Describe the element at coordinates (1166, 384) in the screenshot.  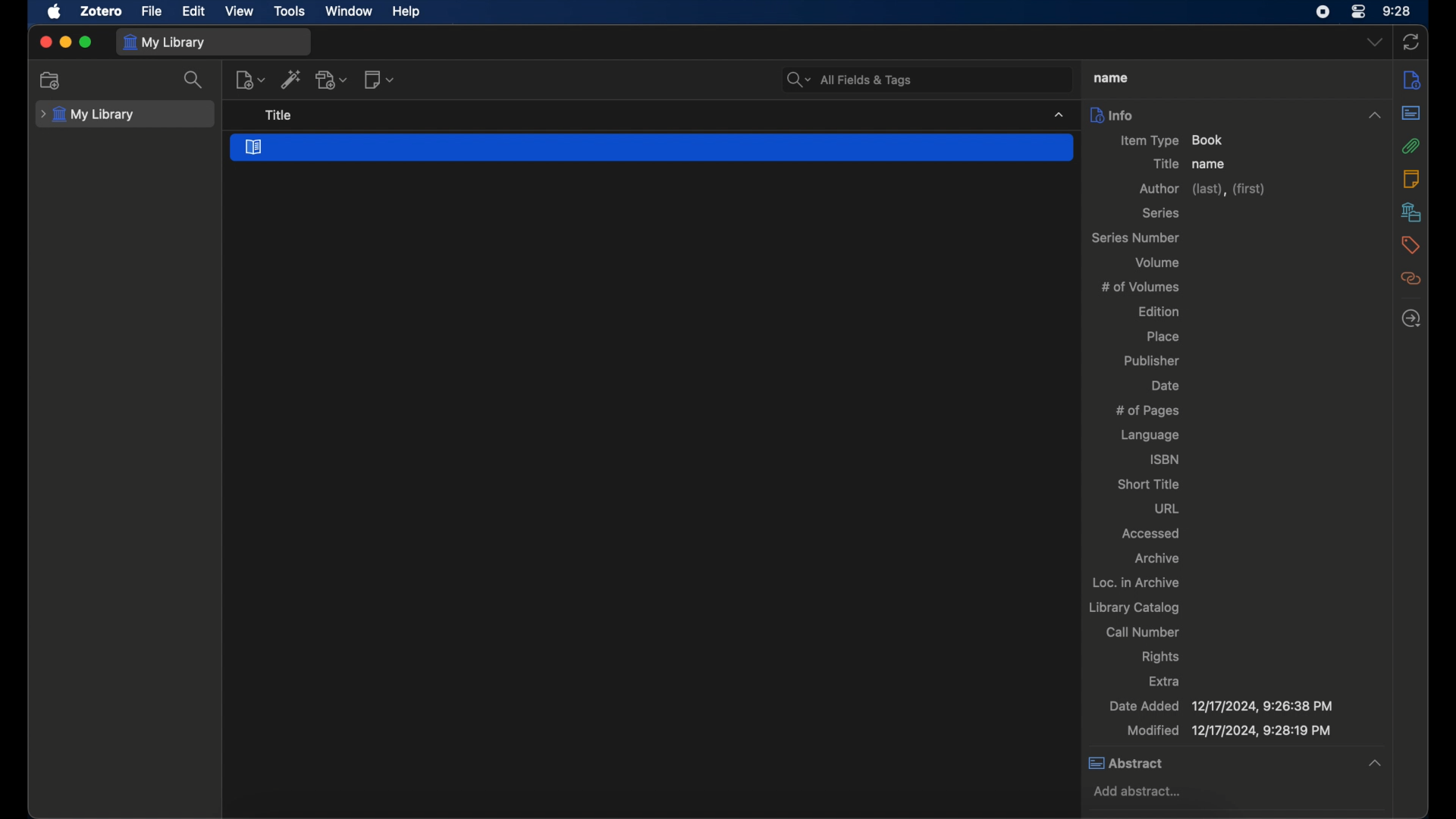
I see `date` at that location.